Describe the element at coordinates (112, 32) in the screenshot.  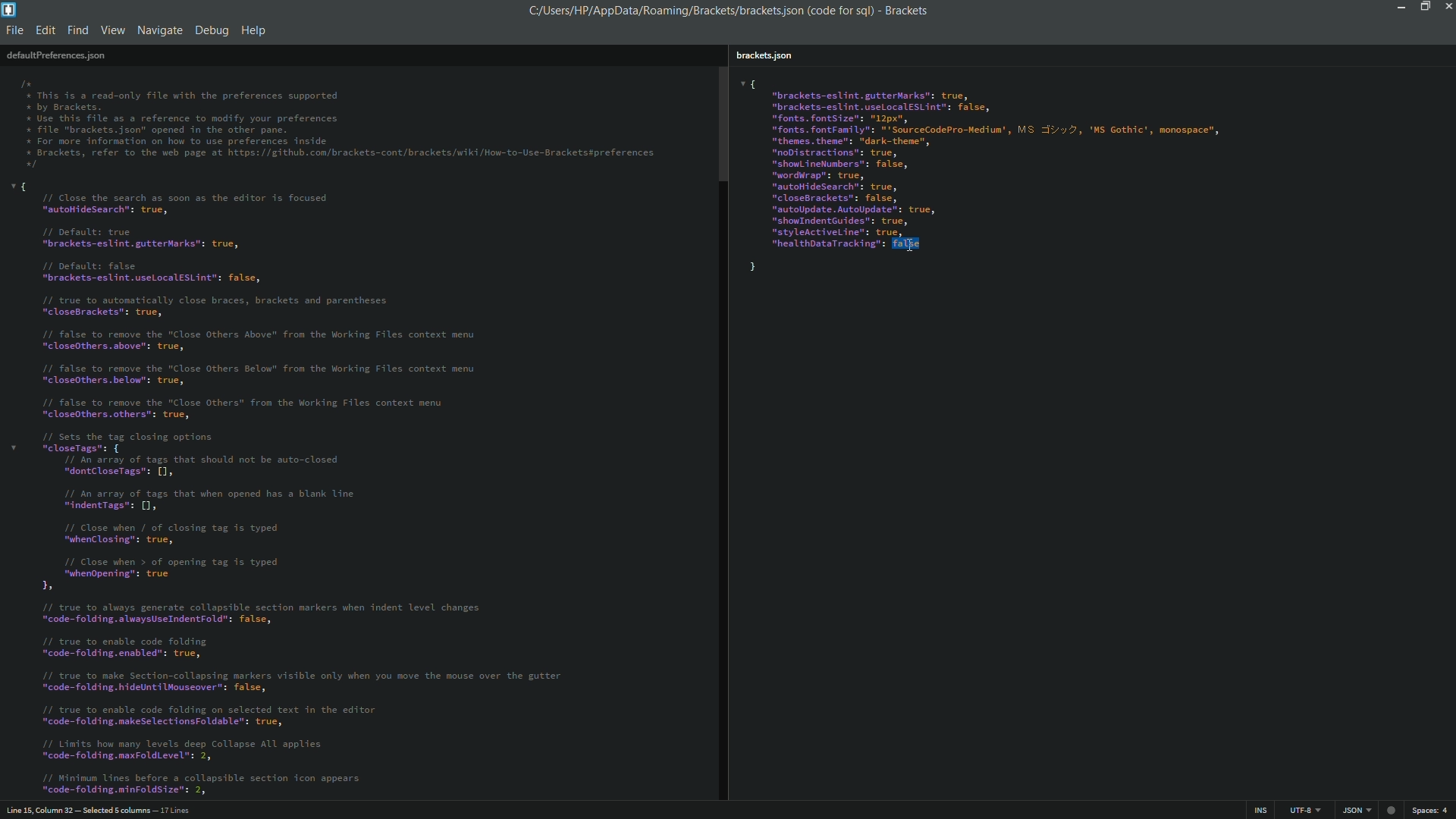
I see `View menu` at that location.